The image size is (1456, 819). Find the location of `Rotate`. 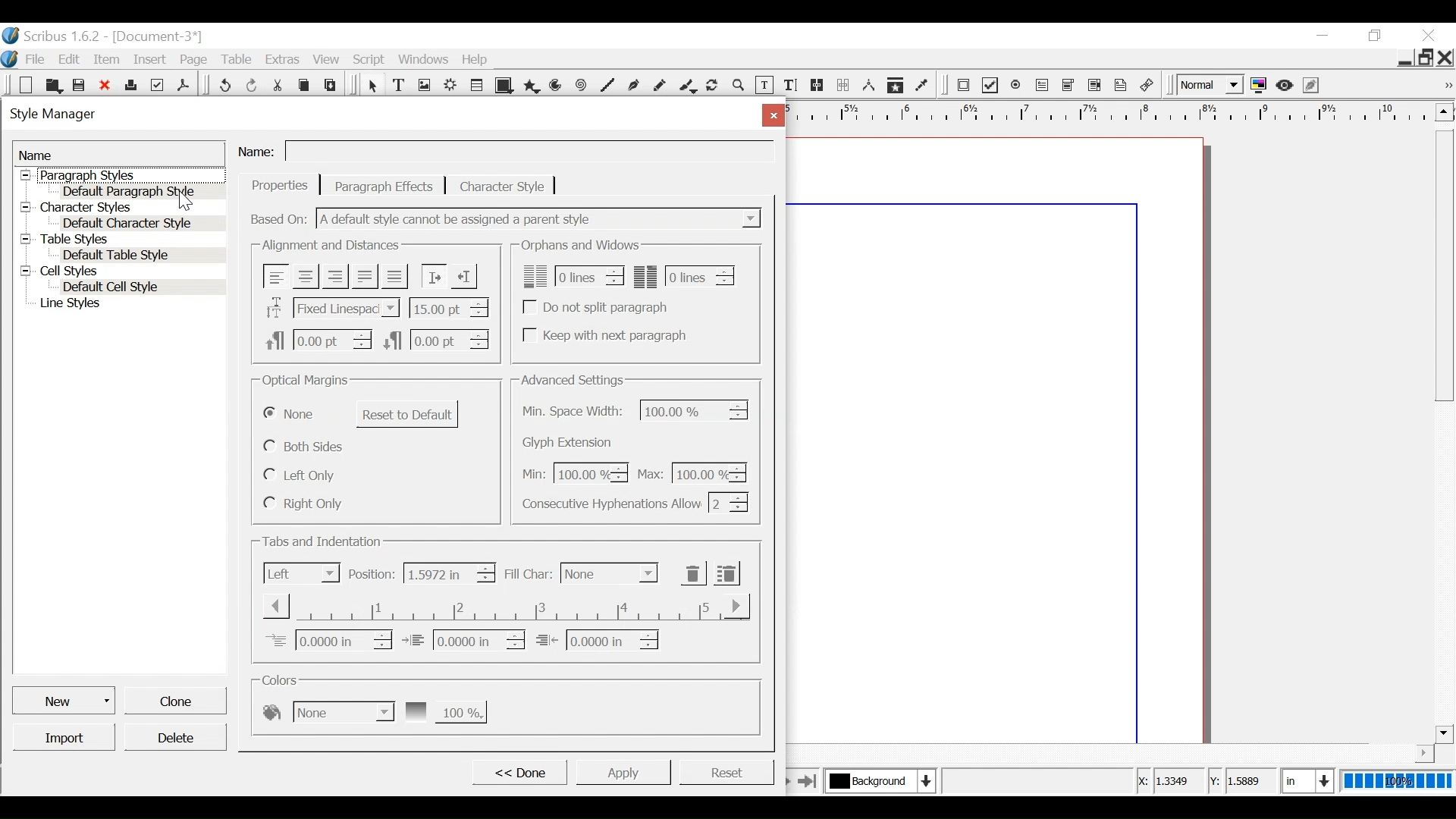

Rotate is located at coordinates (713, 86).